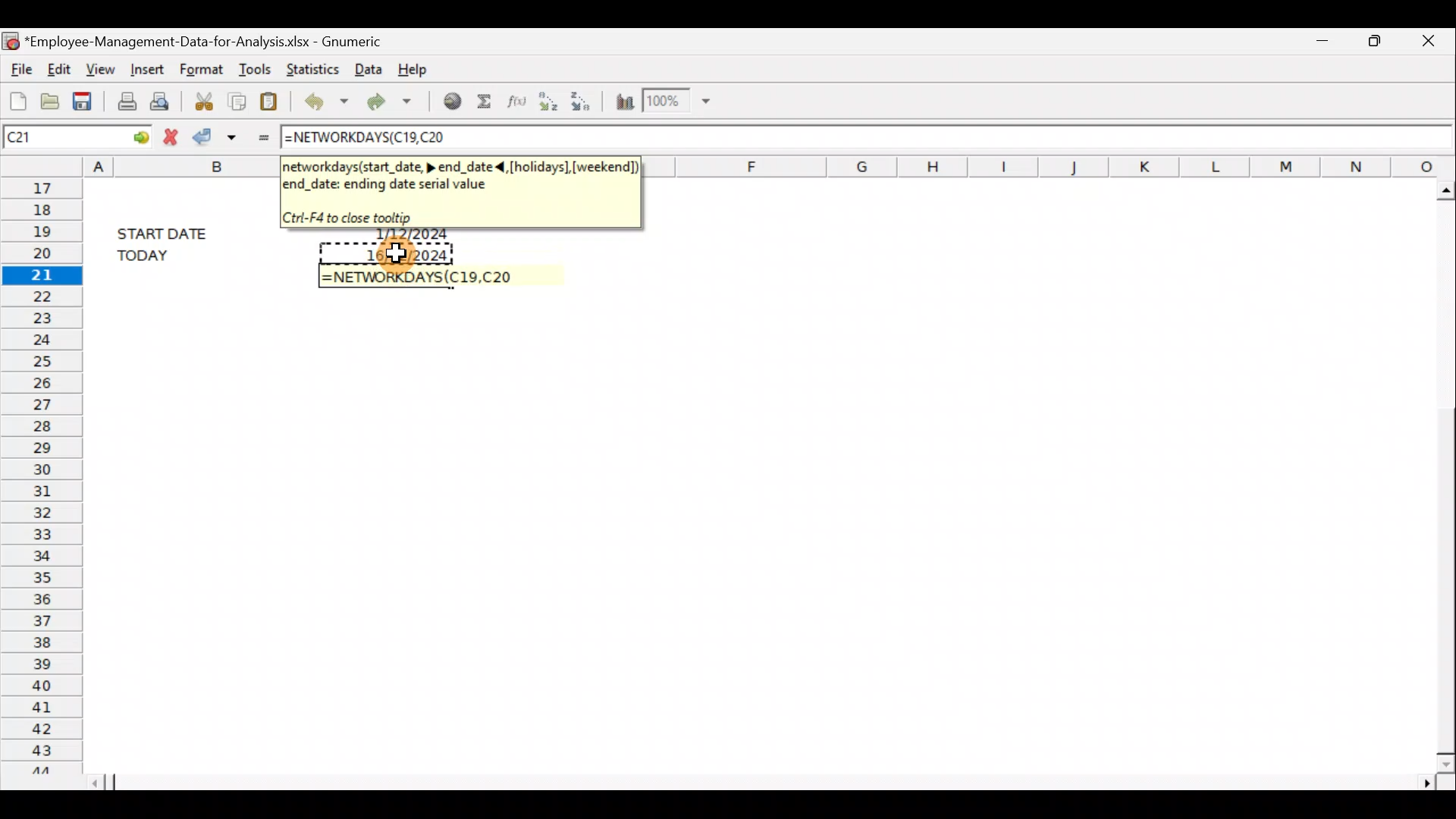 The width and height of the screenshot is (1456, 819). Describe the element at coordinates (39, 474) in the screenshot. I see `Rows` at that location.